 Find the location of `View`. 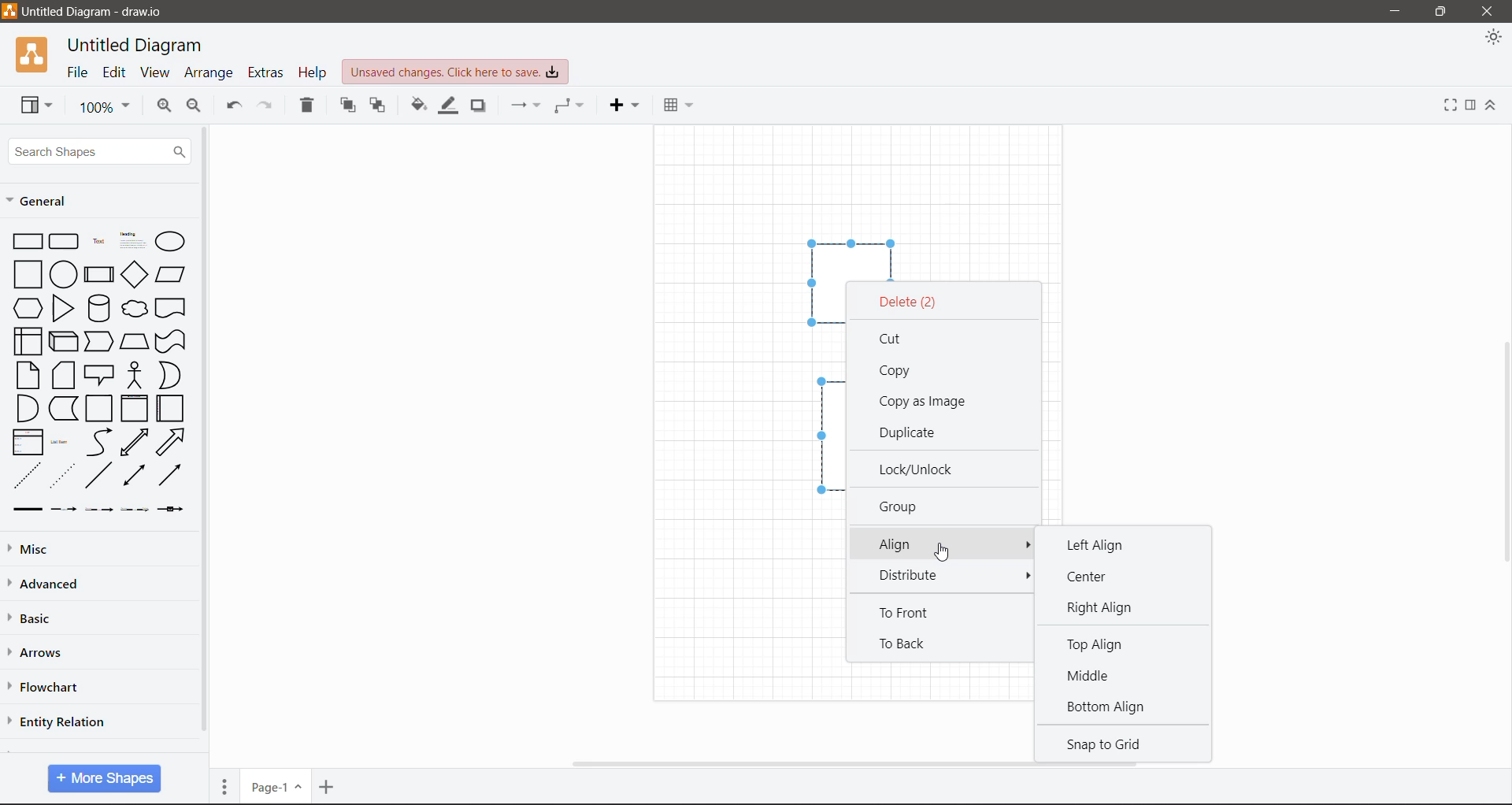

View is located at coordinates (36, 105).